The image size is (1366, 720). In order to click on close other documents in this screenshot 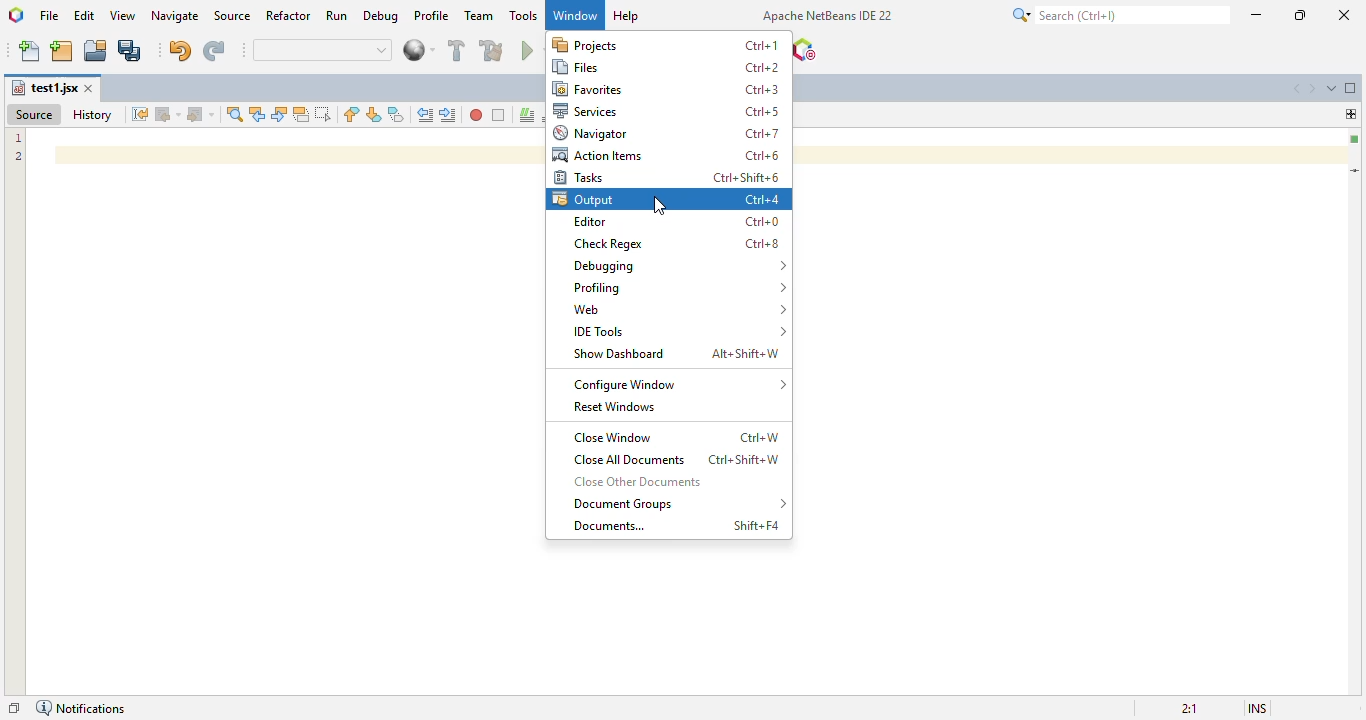, I will do `click(638, 481)`.